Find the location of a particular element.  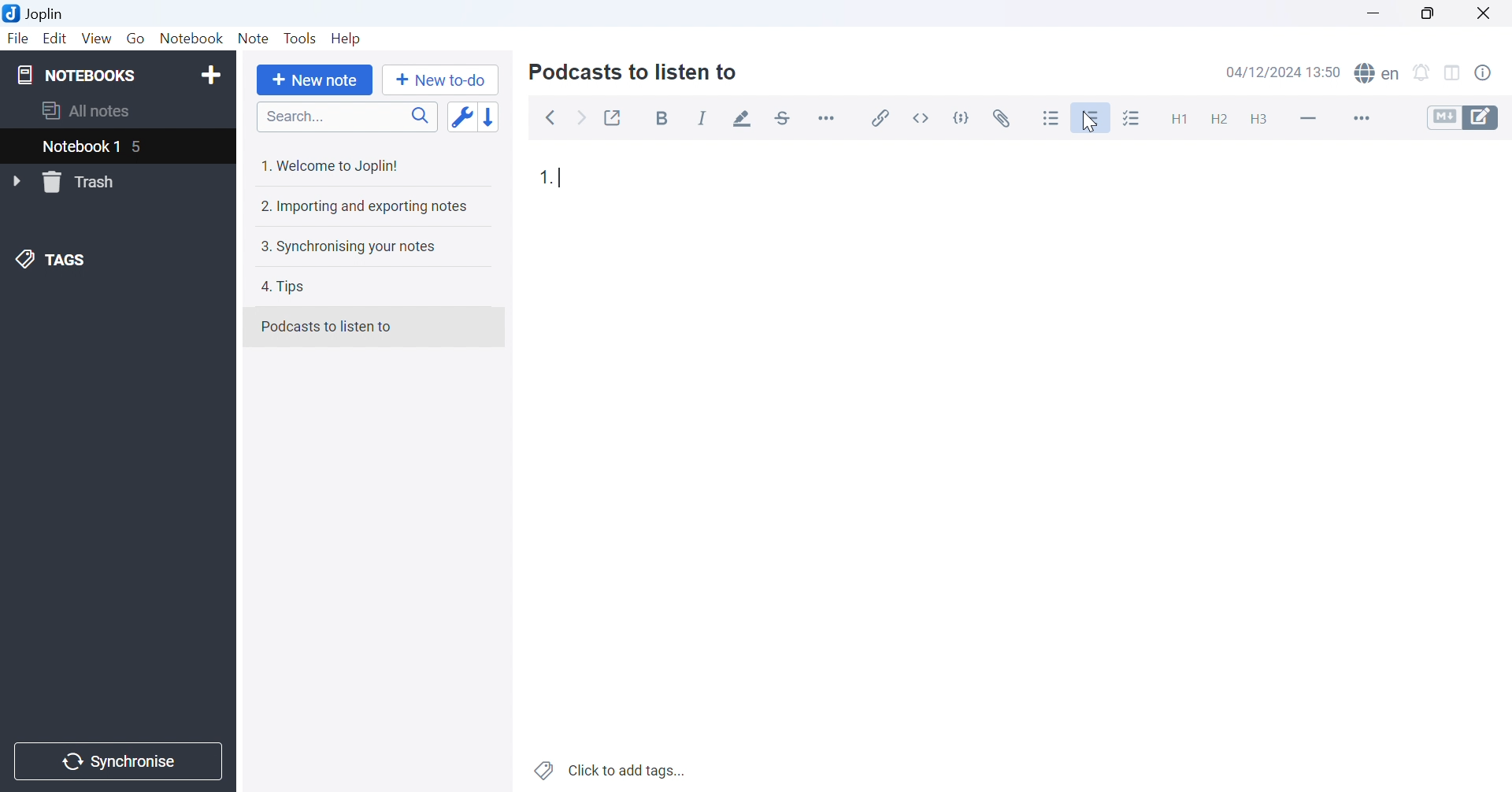

Horizontal lines is located at coordinates (1308, 117).